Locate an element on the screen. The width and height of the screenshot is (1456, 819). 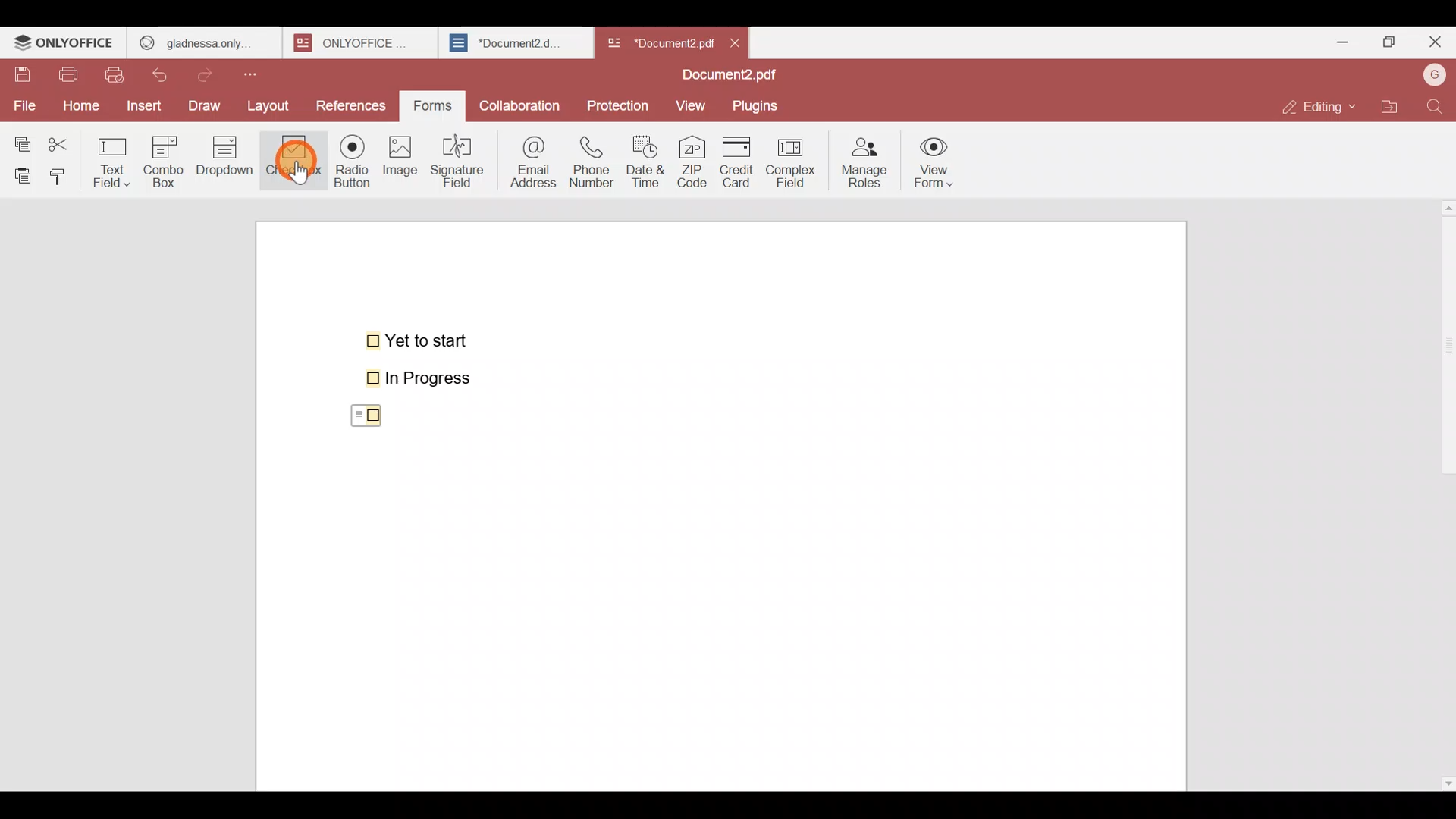
View is located at coordinates (693, 105).